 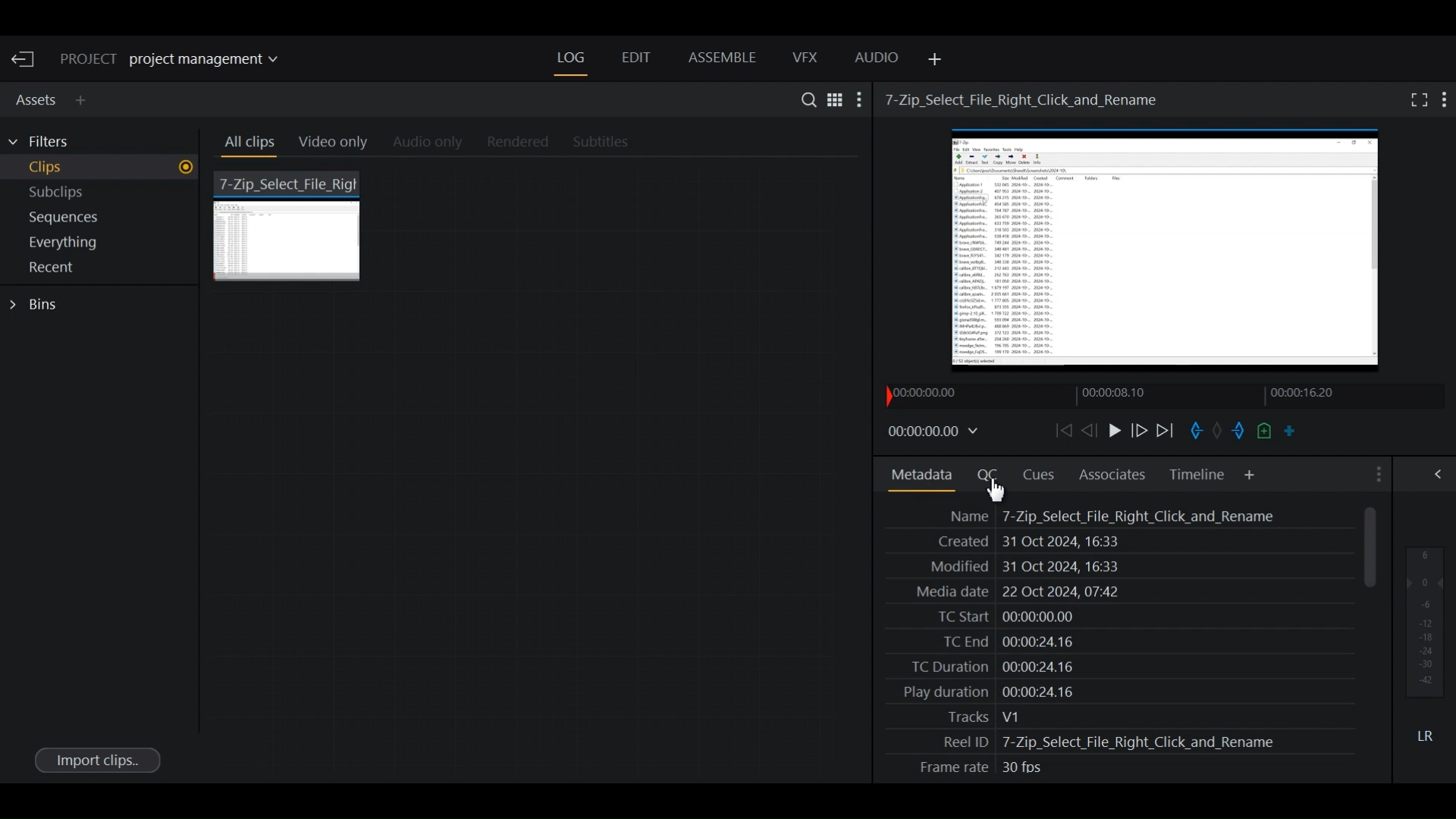 I want to click on Quality Control, so click(x=991, y=475).